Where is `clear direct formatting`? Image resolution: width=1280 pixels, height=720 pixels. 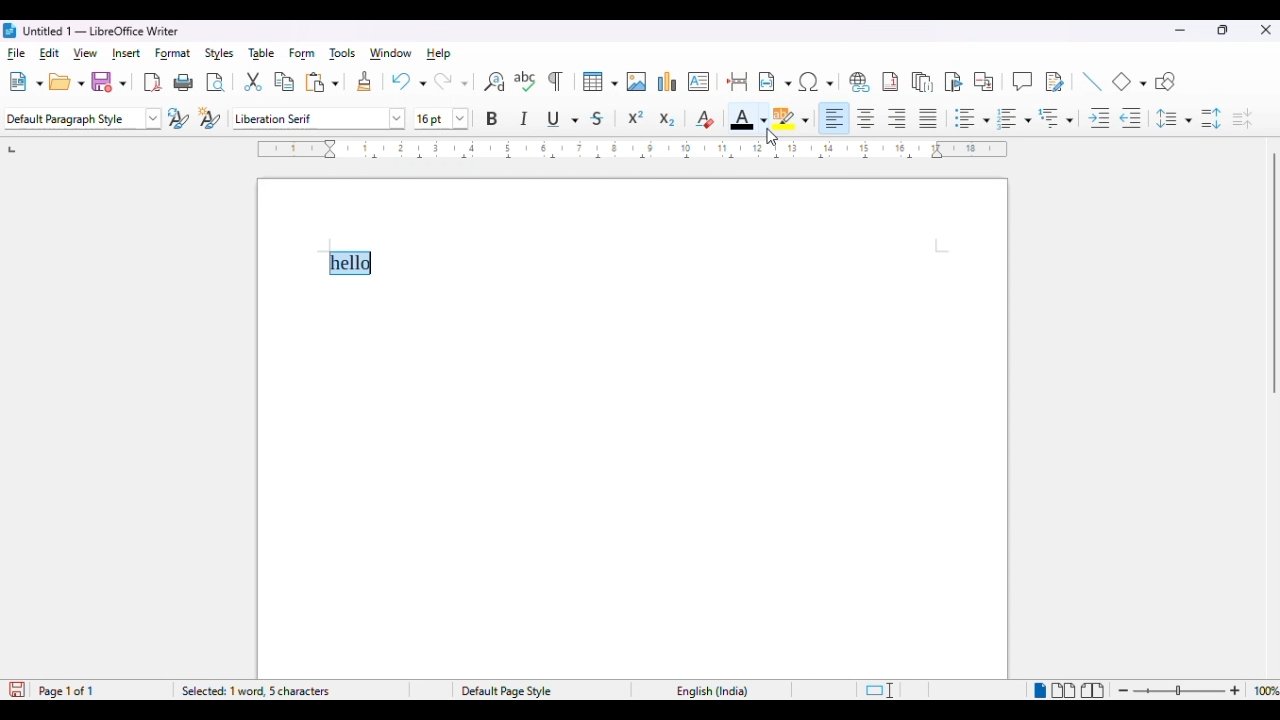
clear direct formatting is located at coordinates (704, 119).